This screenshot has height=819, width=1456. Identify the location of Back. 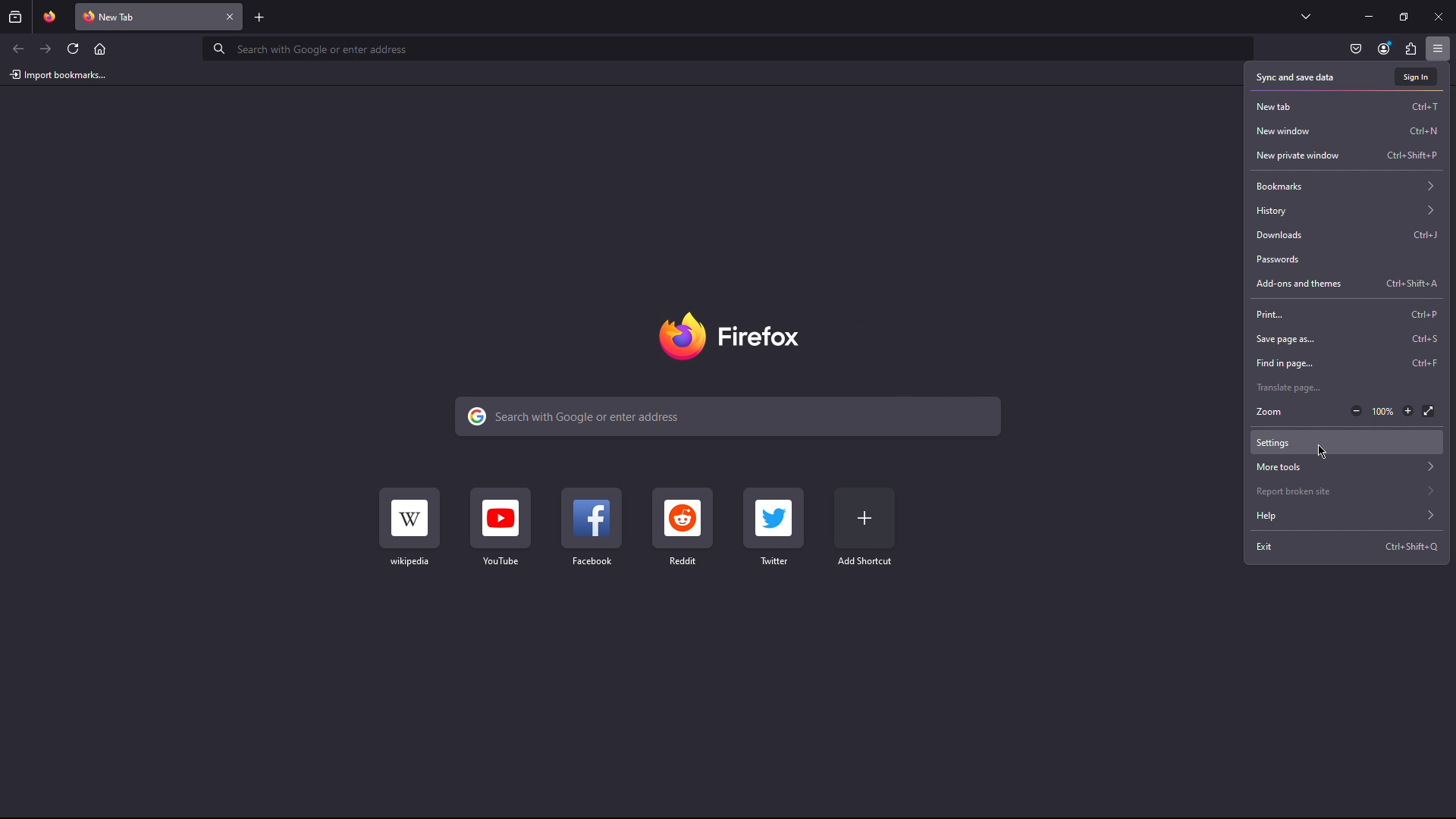
(18, 49).